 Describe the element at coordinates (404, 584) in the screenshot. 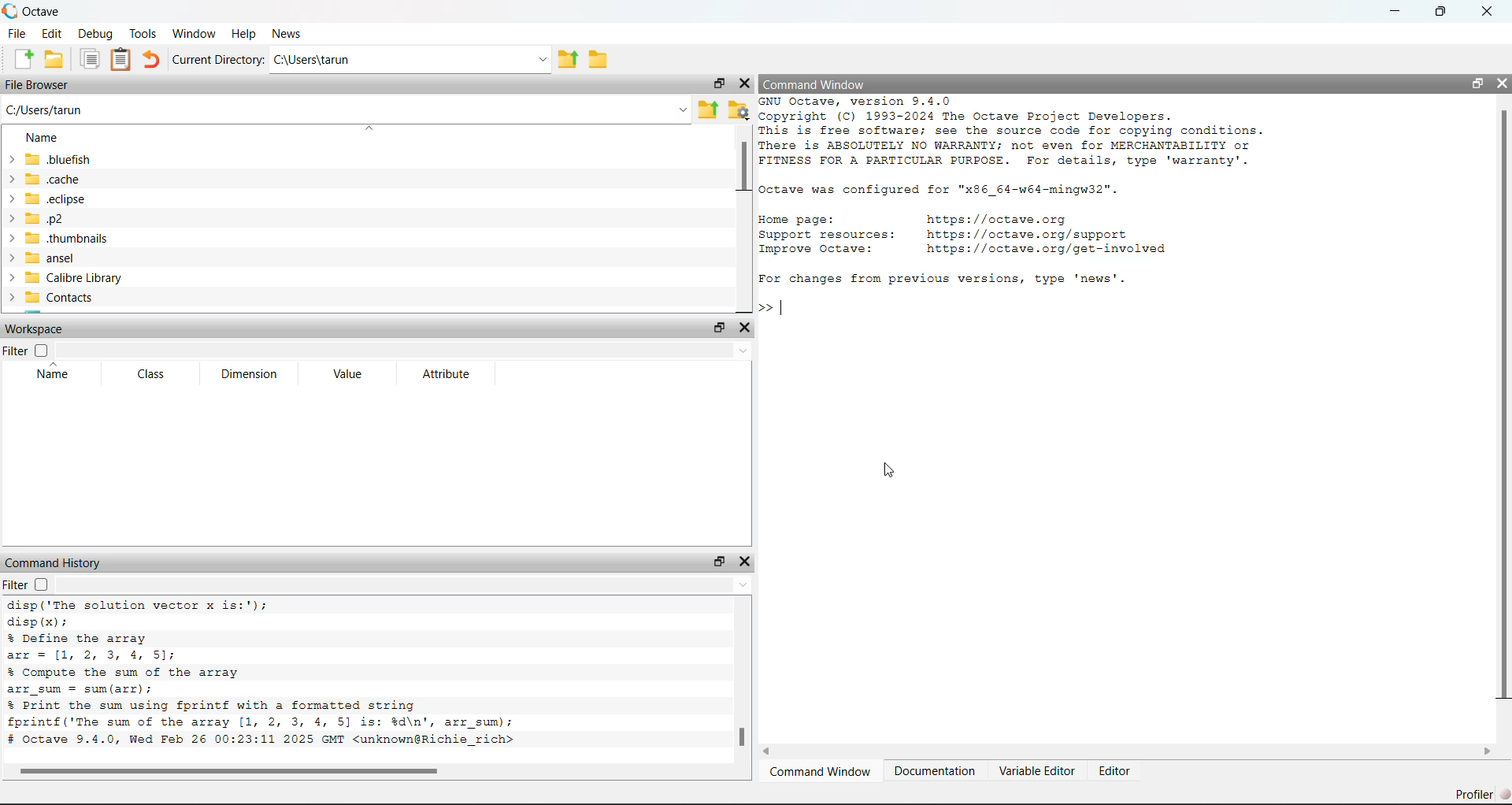

I see `drop down` at that location.